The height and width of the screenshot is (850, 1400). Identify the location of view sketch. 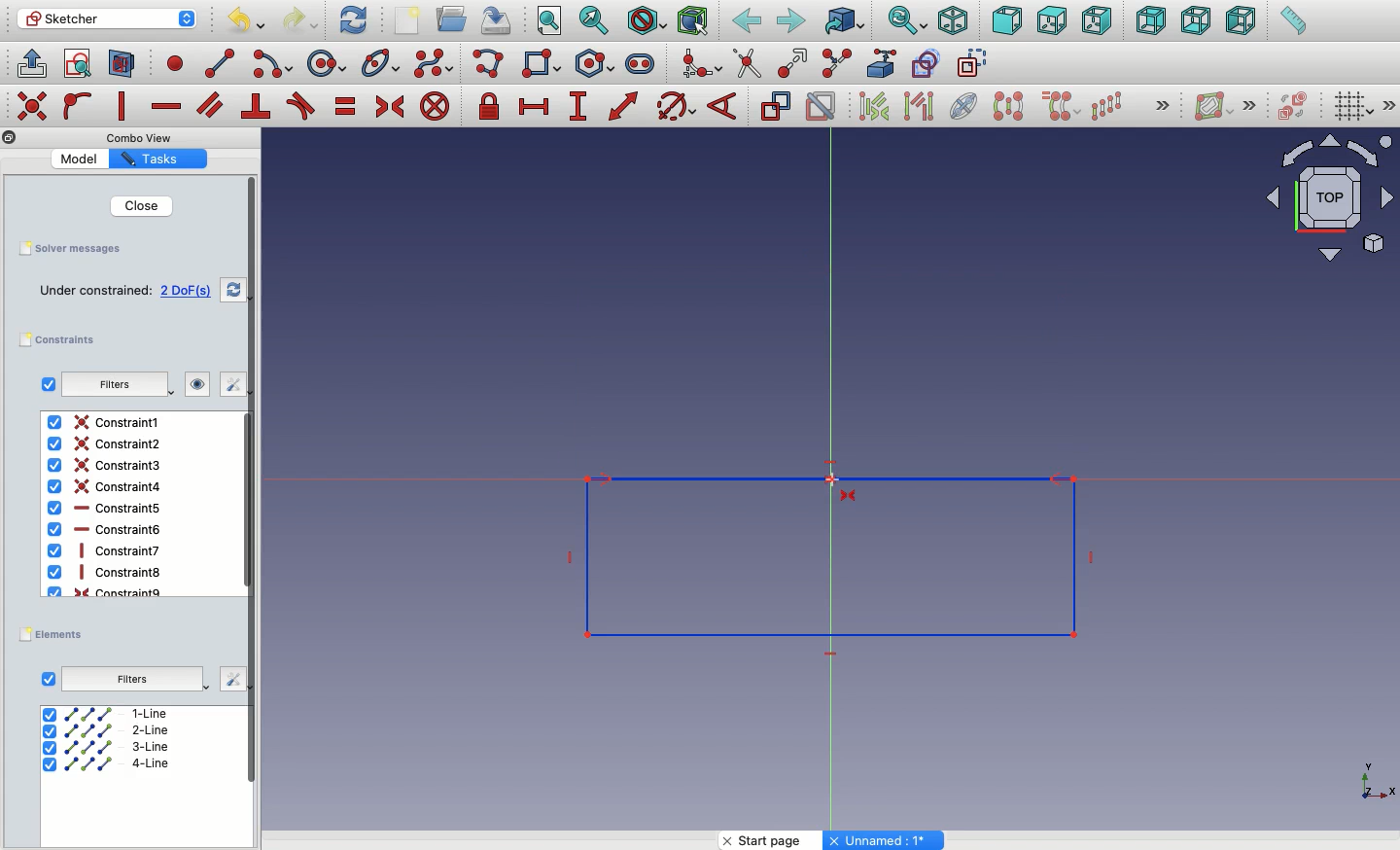
(81, 65).